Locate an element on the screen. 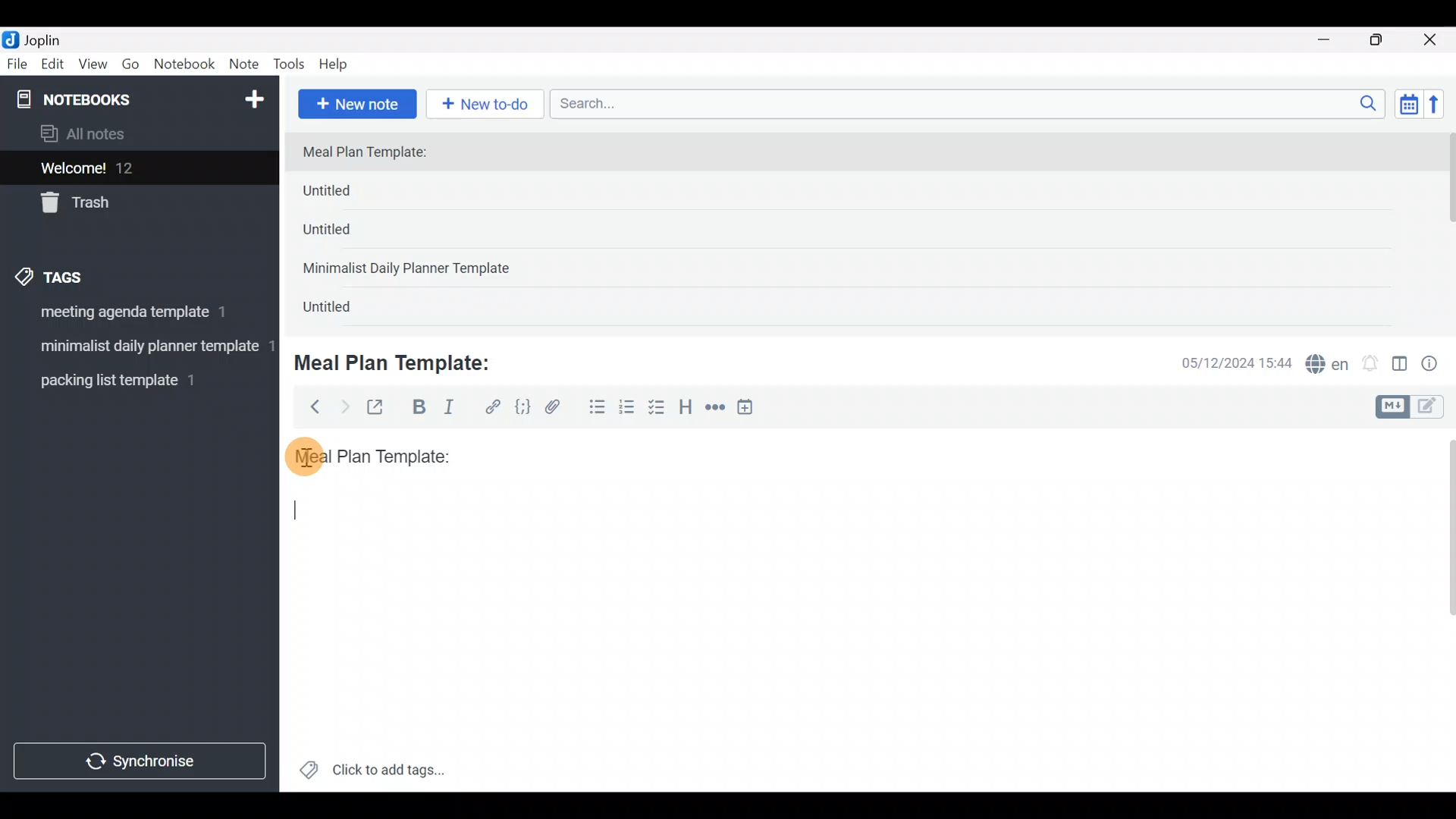 The height and width of the screenshot is (819, 1456). Italic is located at coordinates (447, 410).